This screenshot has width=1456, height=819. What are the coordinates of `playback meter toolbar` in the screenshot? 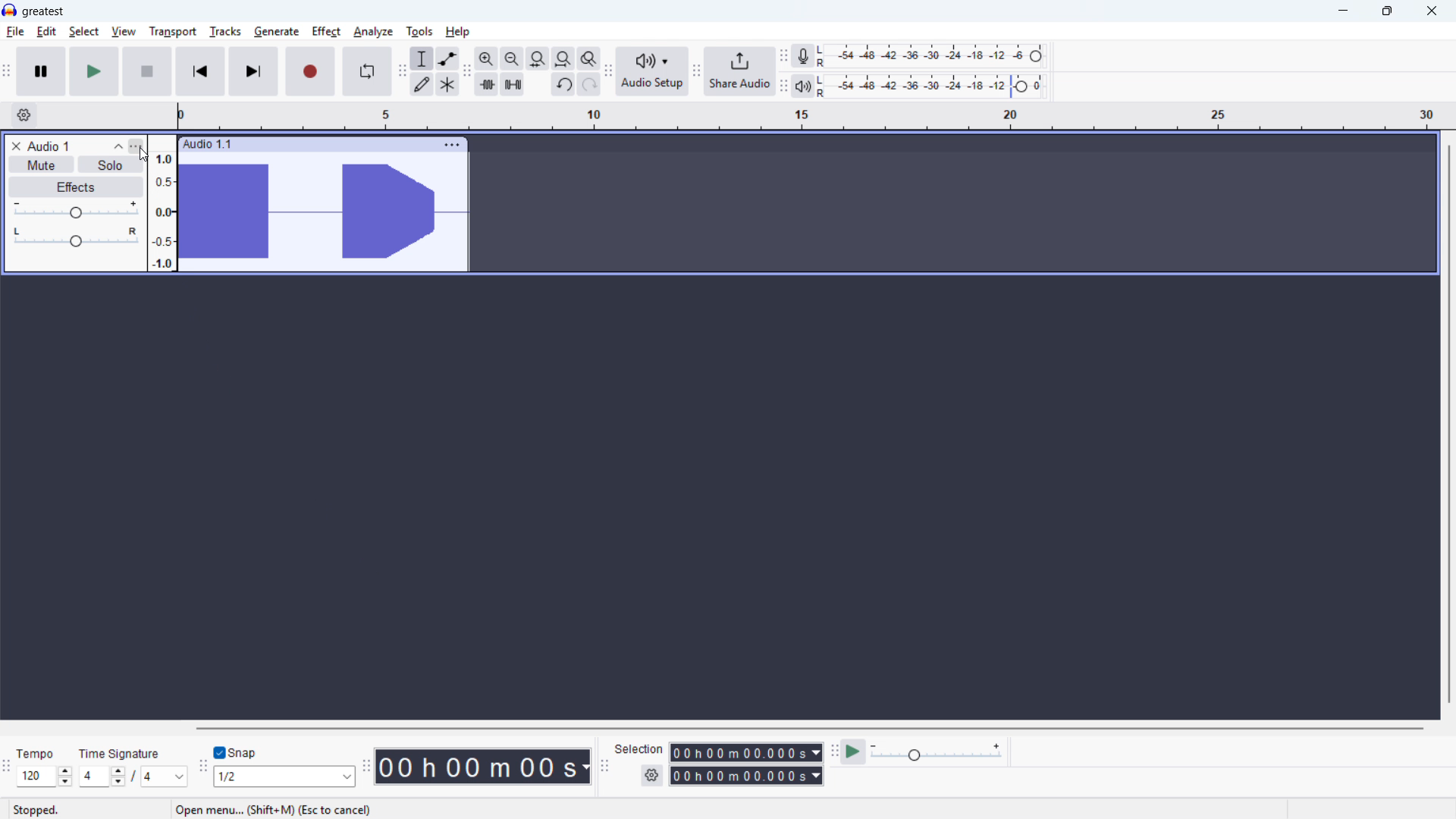 It's located at (783, 87).